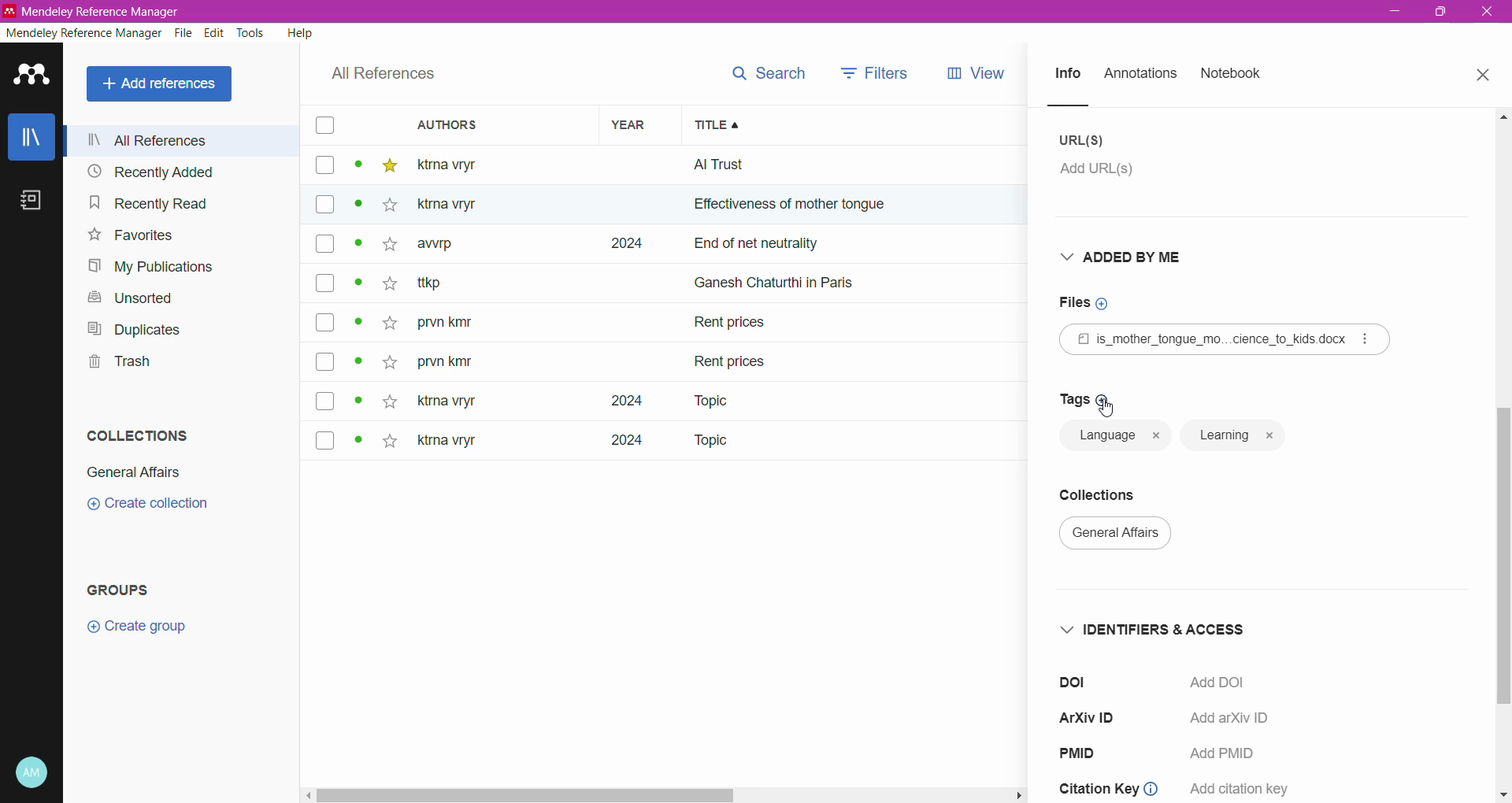  Describe the element at coordinates (136, 299) in the screenshot. I see `Unsorted` at that location.